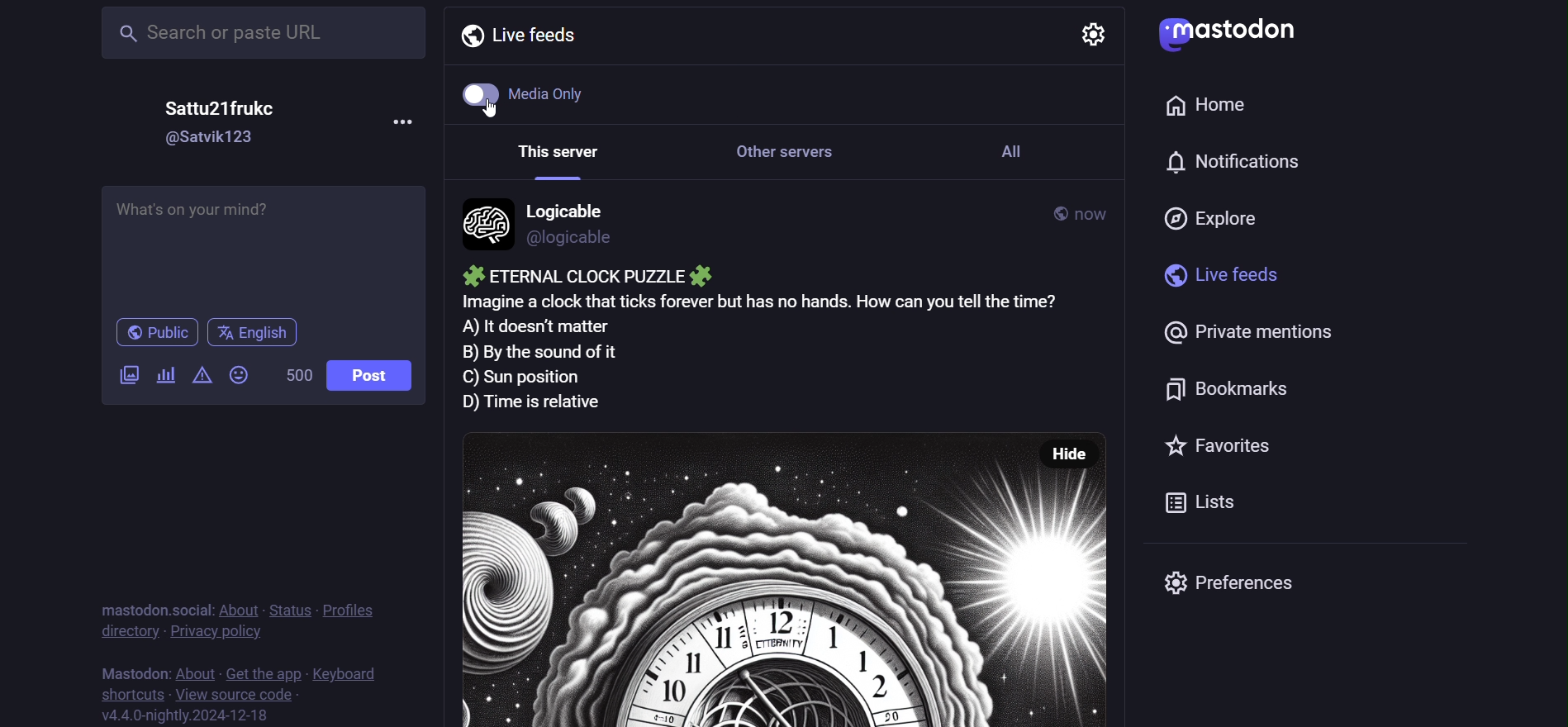 This screenshot has width=1568, height=727. What do you see at coordinates (257, 334) in the screenshot?
I see `english` at bounding box center [257, 334].